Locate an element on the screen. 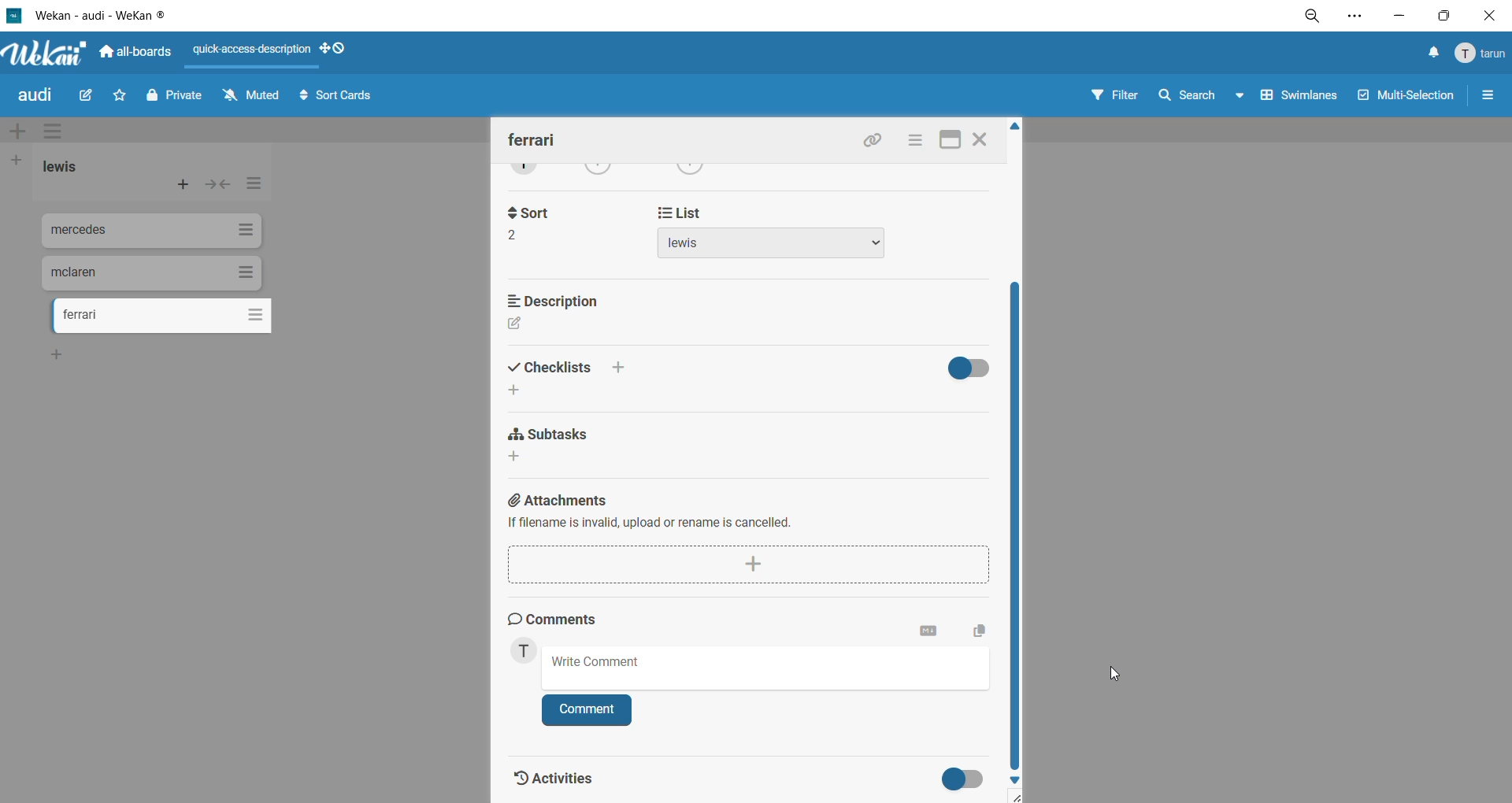  card actions is located at coordinates (914, 142).